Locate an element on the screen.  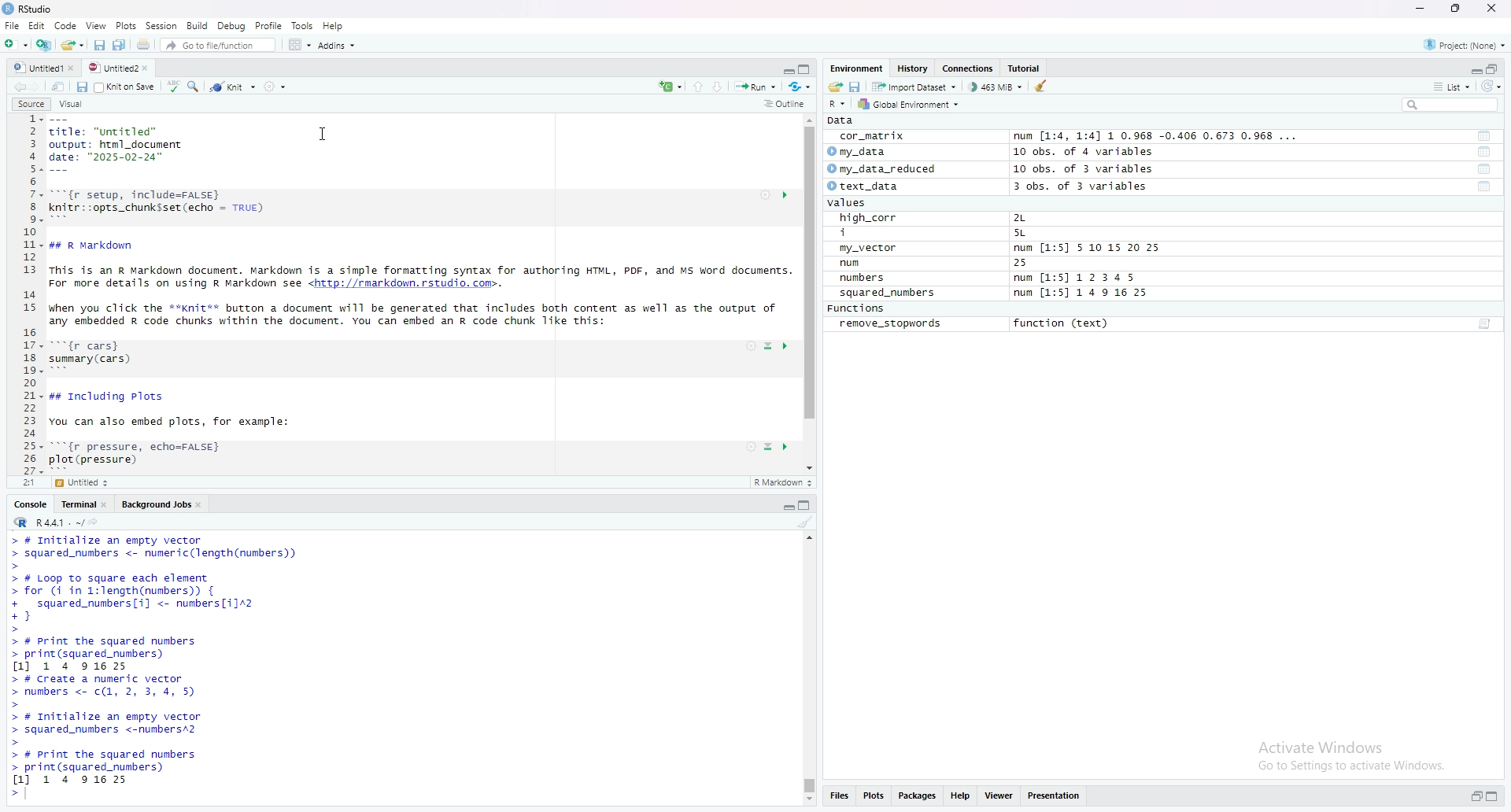
File is located at coordinates (10, 25).